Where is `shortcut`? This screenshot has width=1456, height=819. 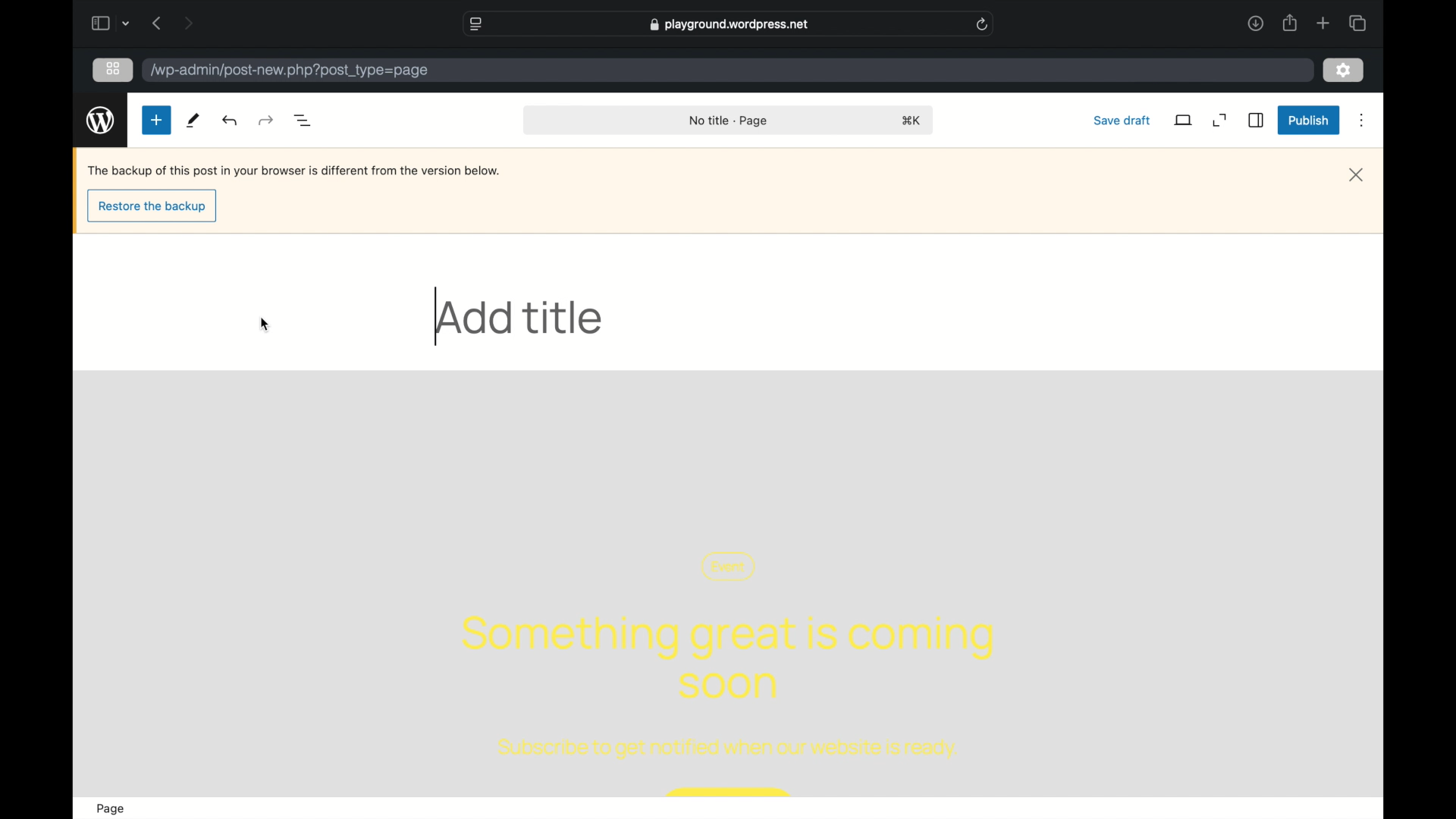
shortcut is located at coordinates (912, 120).